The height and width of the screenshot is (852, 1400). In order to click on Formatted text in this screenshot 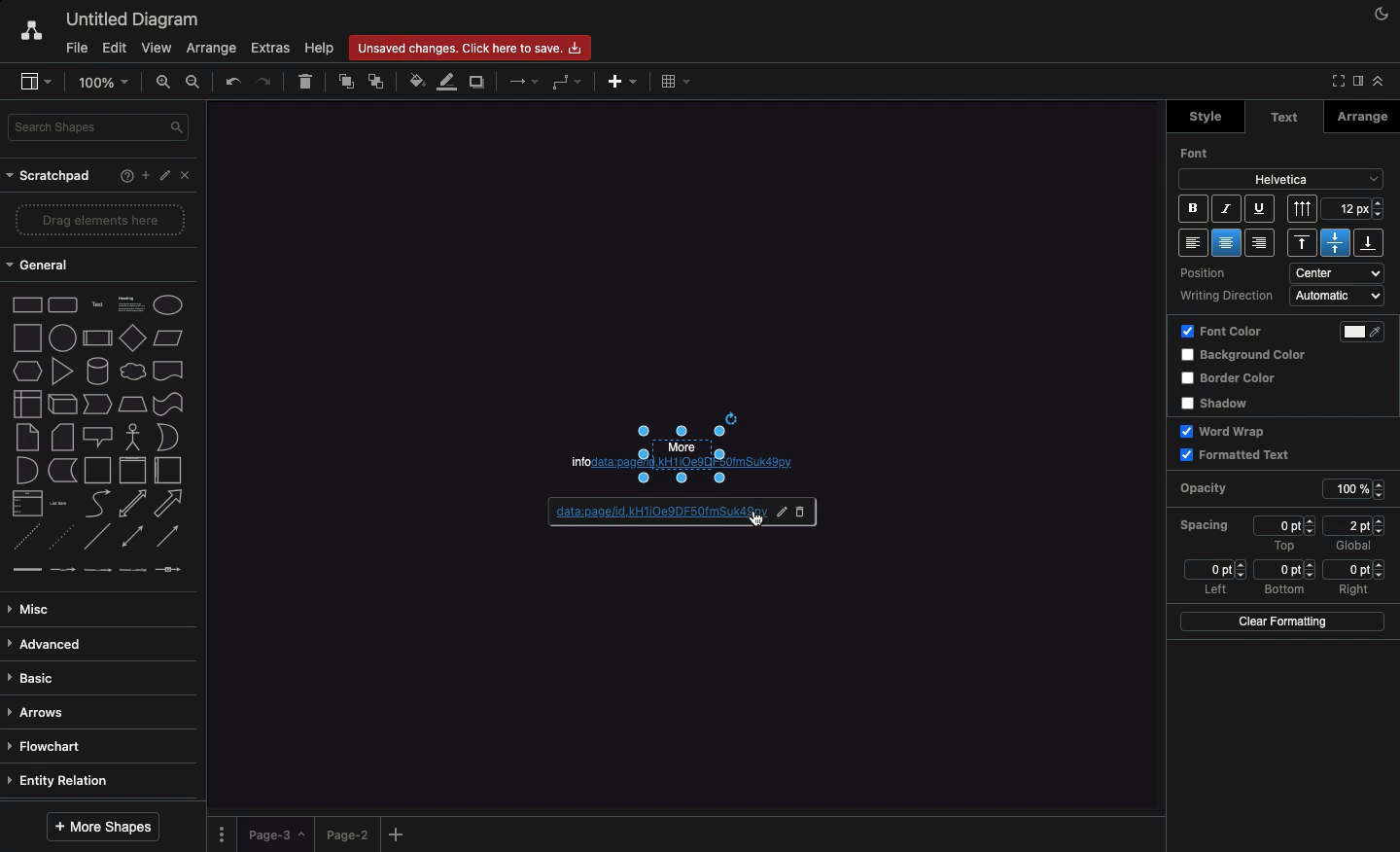, I will do `click(1236, 454)`.